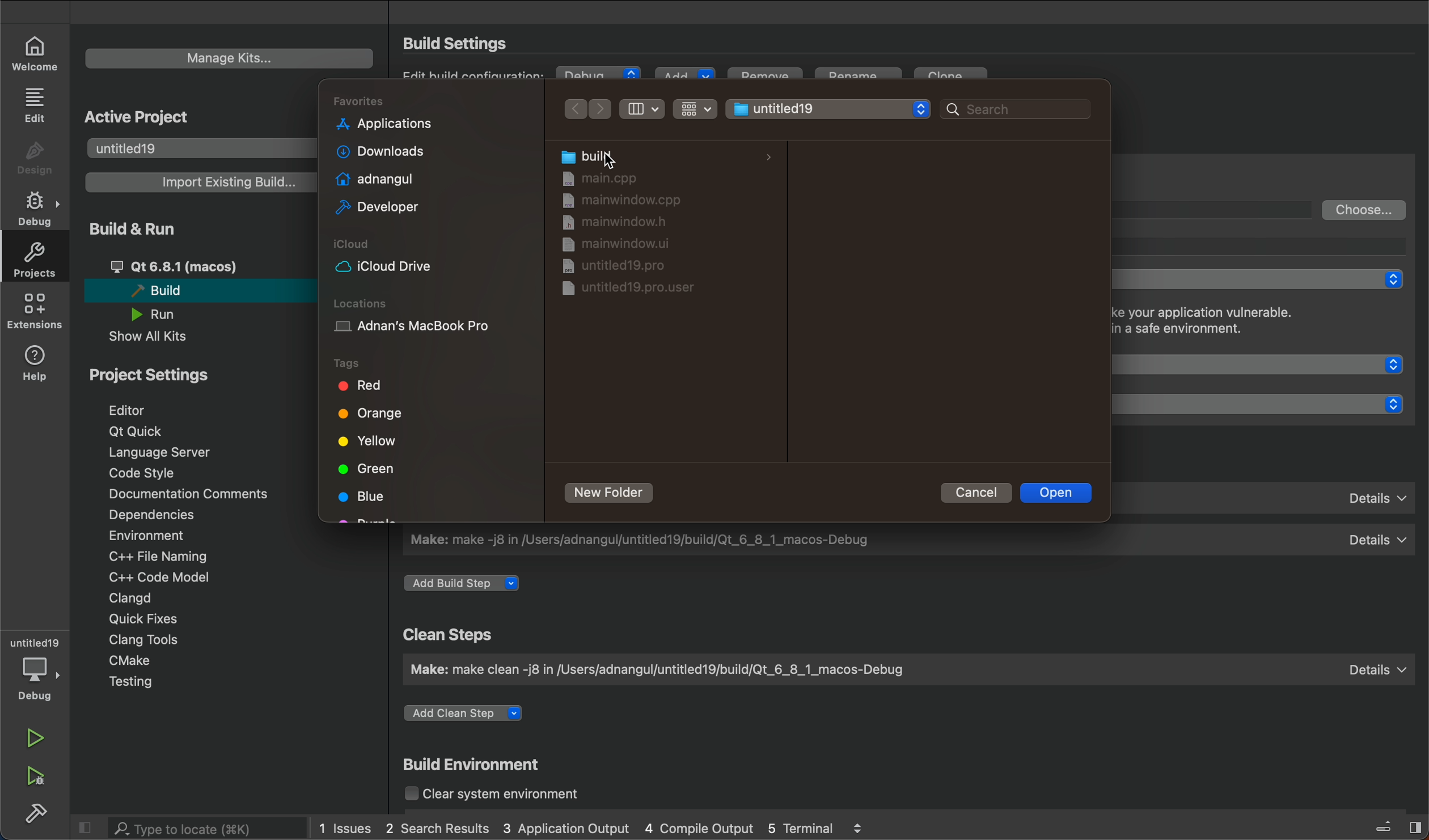 The width and height of the screenshot is (1429, 840). Describe the element at coordinates (431, 102) in the screenshot. I see `folders` at that location.